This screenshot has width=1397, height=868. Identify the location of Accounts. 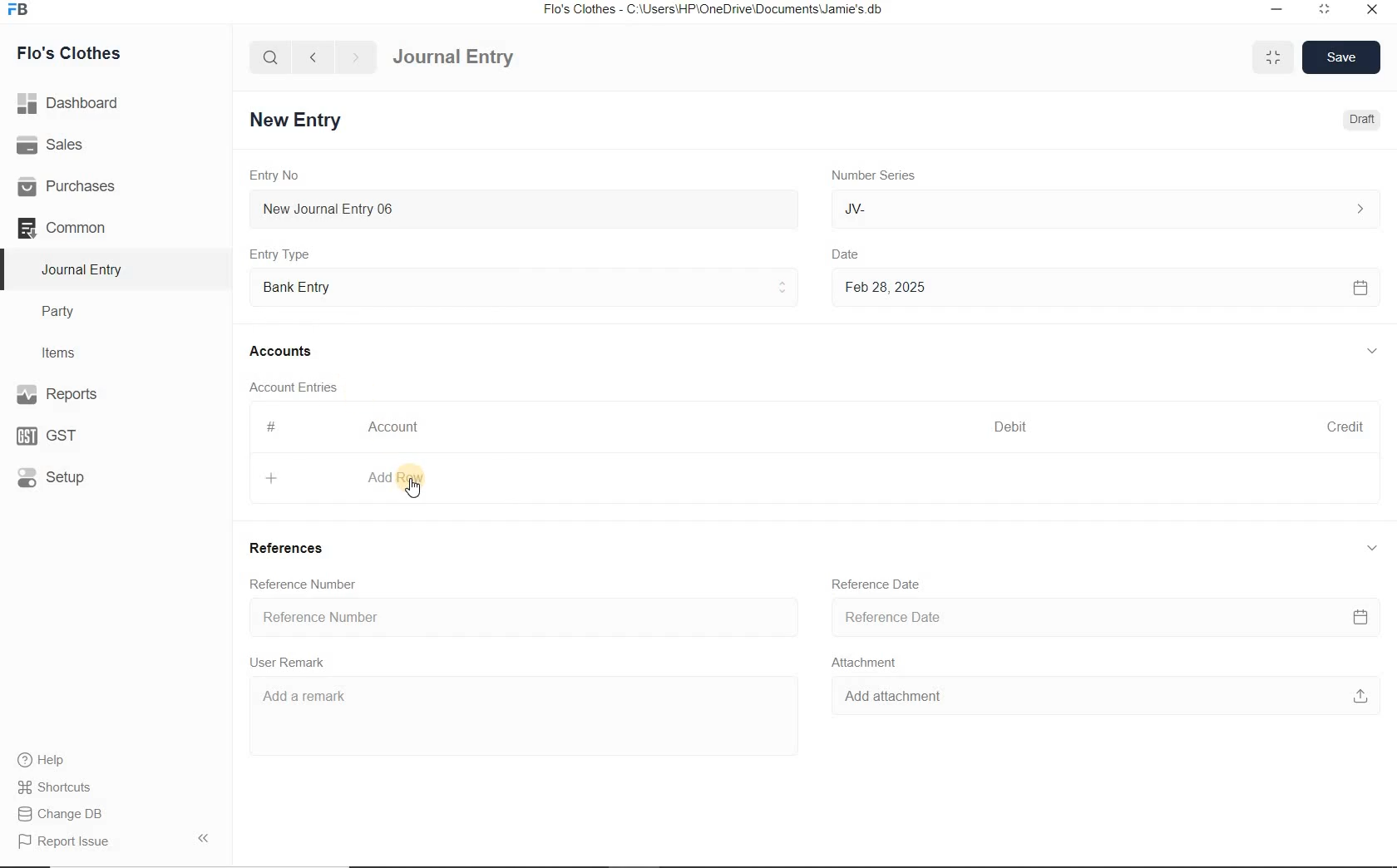
(284, 351).